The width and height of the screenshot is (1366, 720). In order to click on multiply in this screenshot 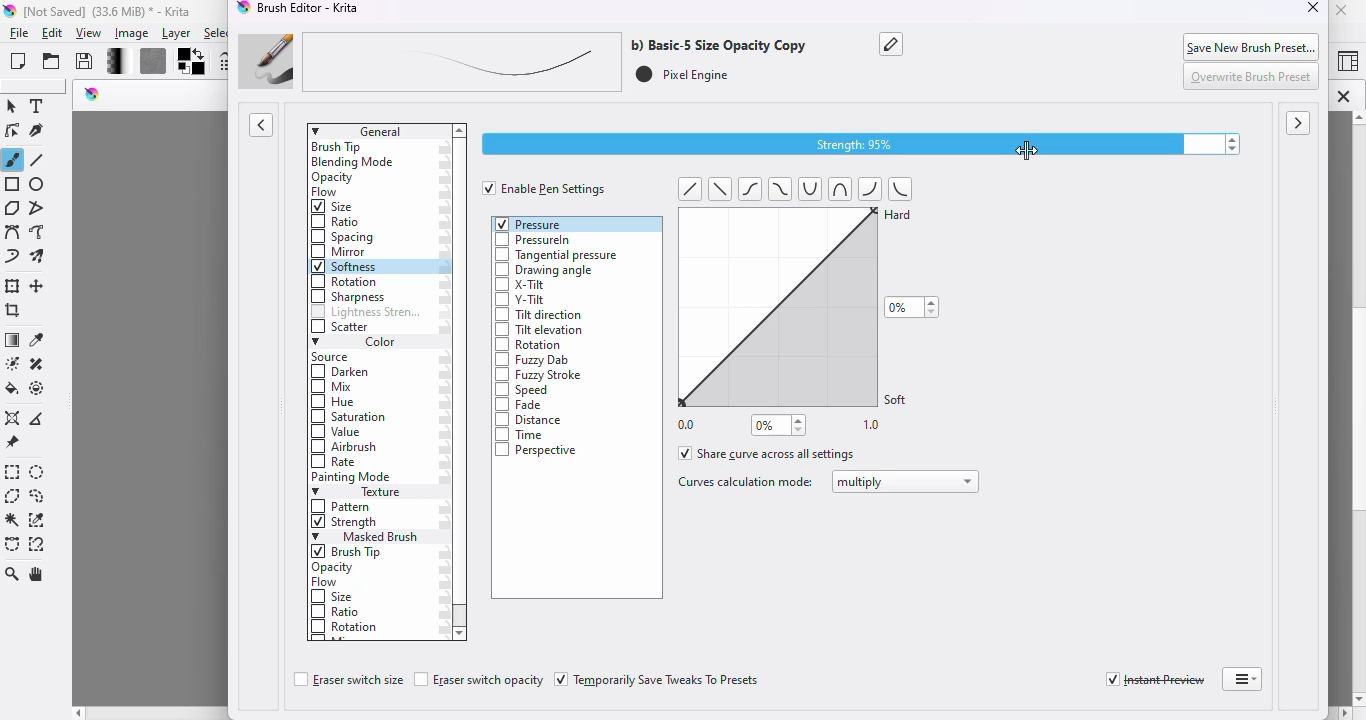, I will do `click(906, 482)`.